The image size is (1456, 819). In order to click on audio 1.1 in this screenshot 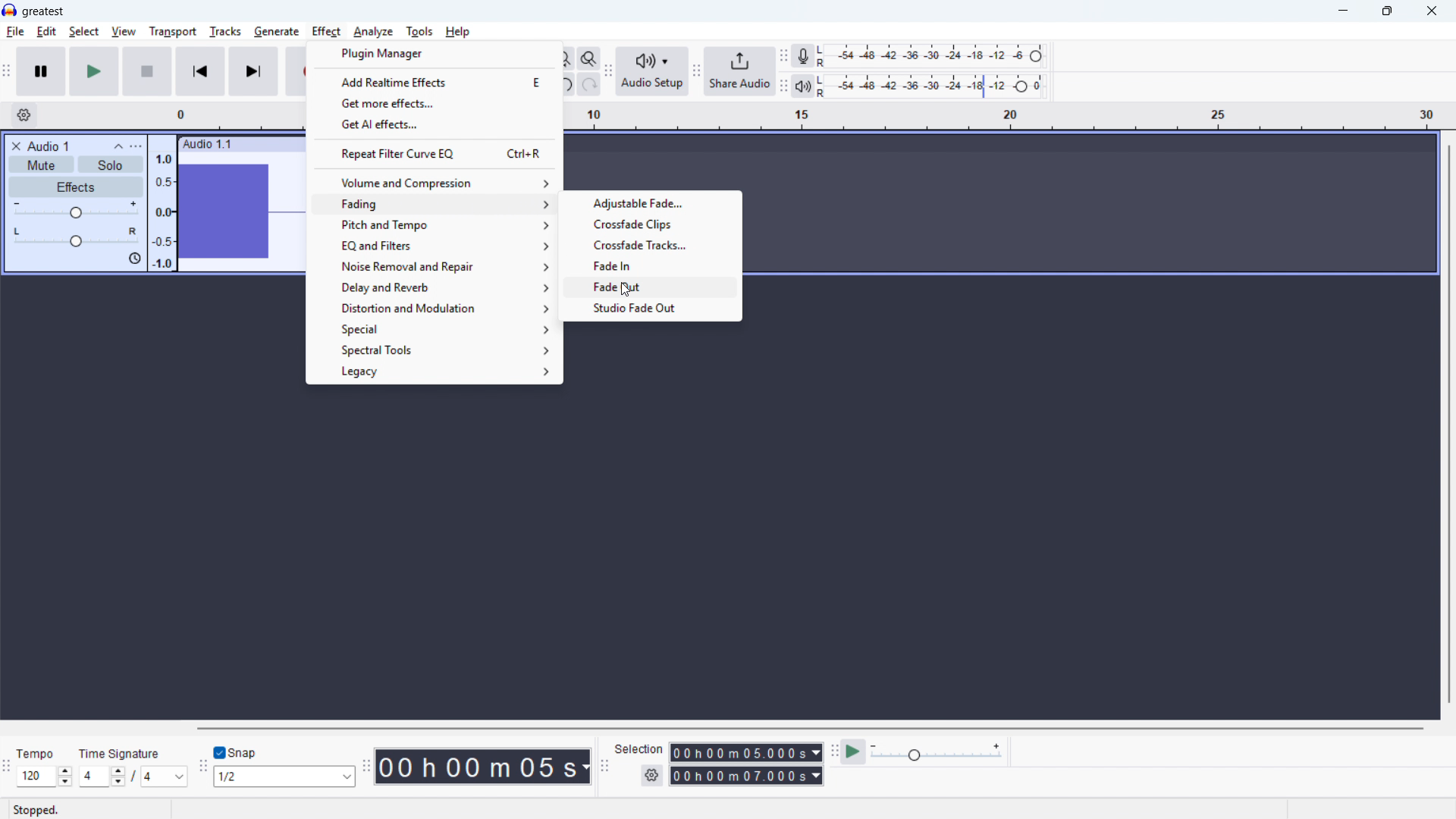, I will do `click(207, 143)`.